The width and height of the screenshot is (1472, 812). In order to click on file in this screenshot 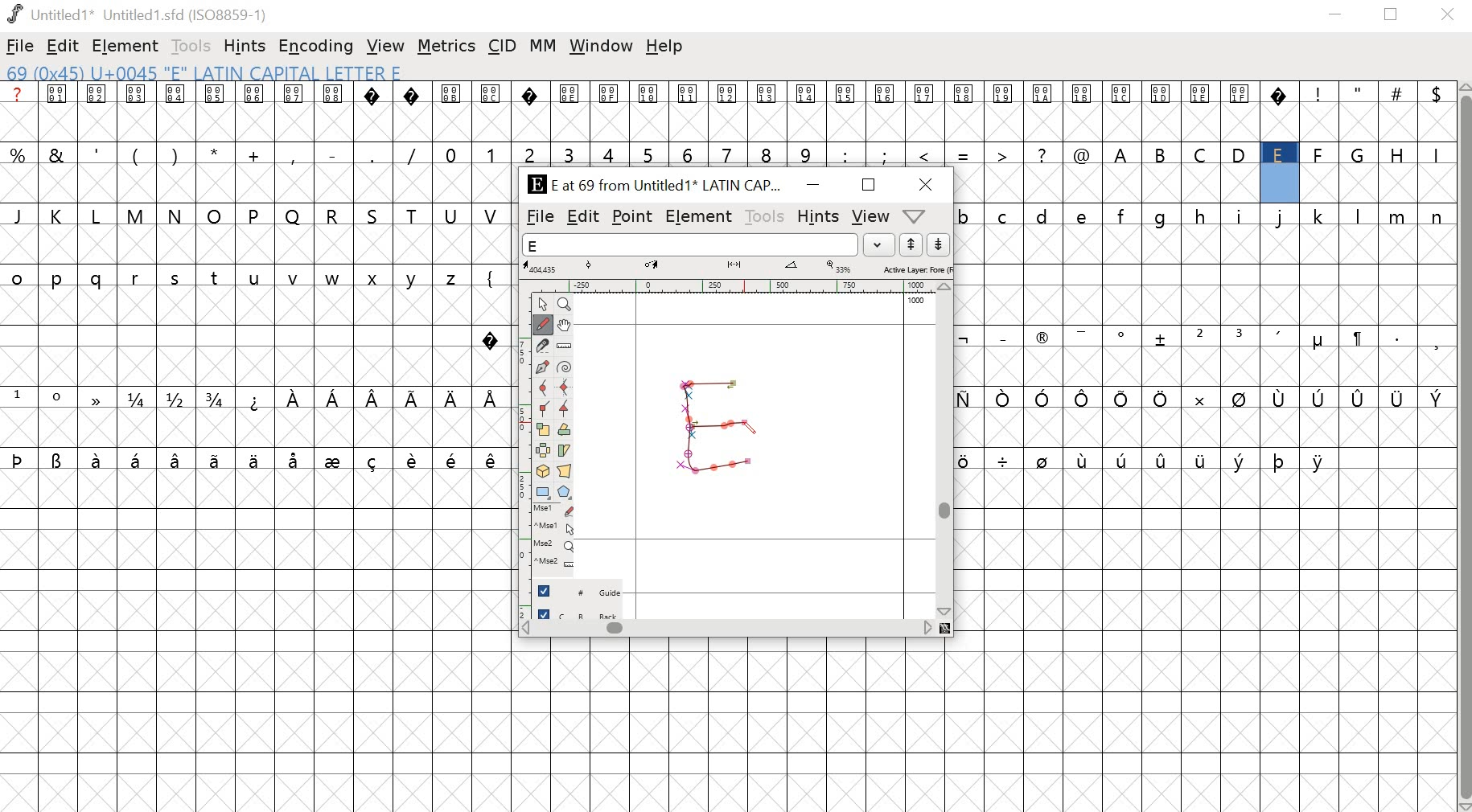, I will do `click(20, 47)`.